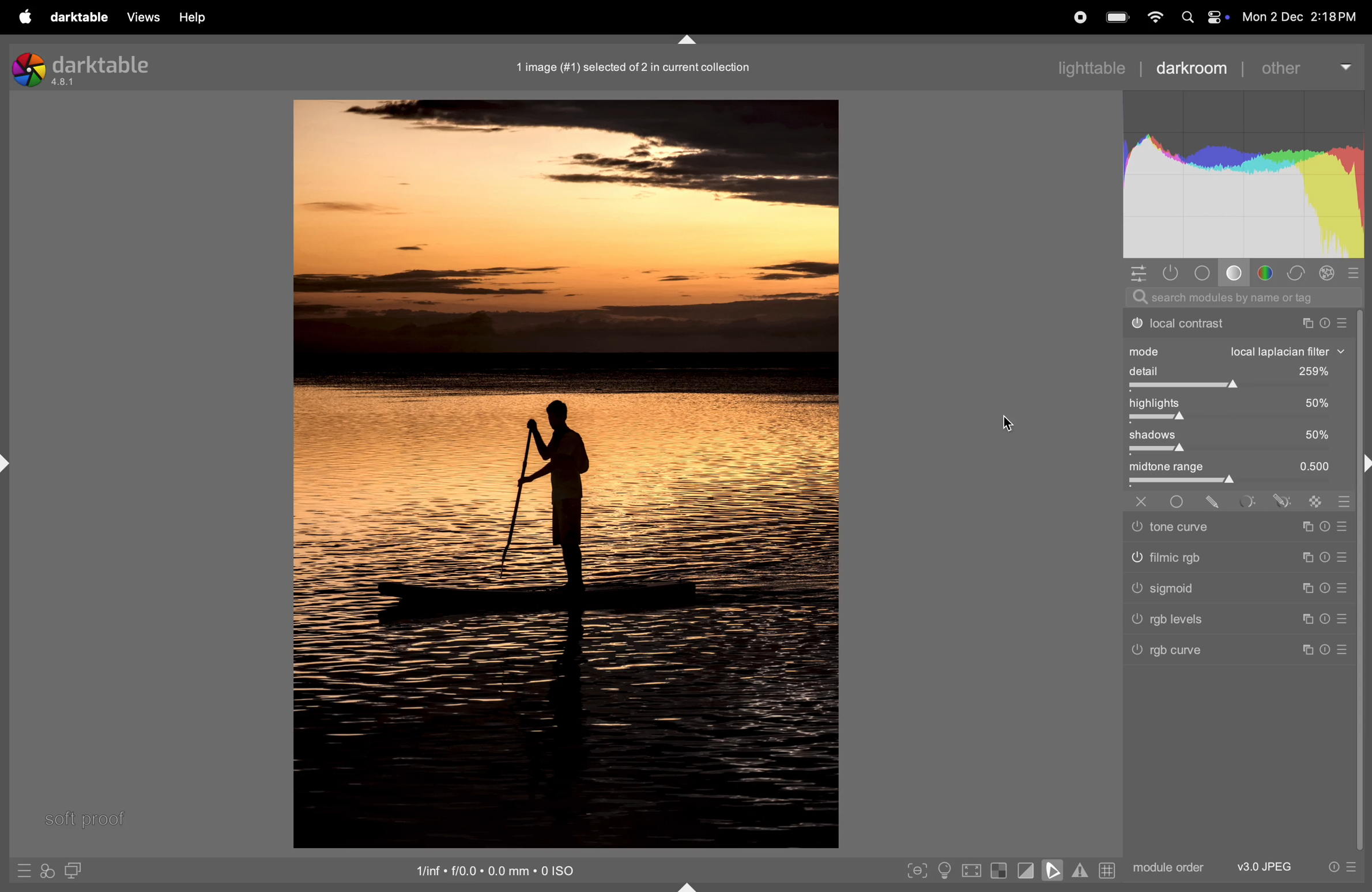 The height and width of the screenshot is (892, 1372). What do you see at coordinates (1309, 67) in the screenshot?
I see `other` at bounding box center [1309, 67].